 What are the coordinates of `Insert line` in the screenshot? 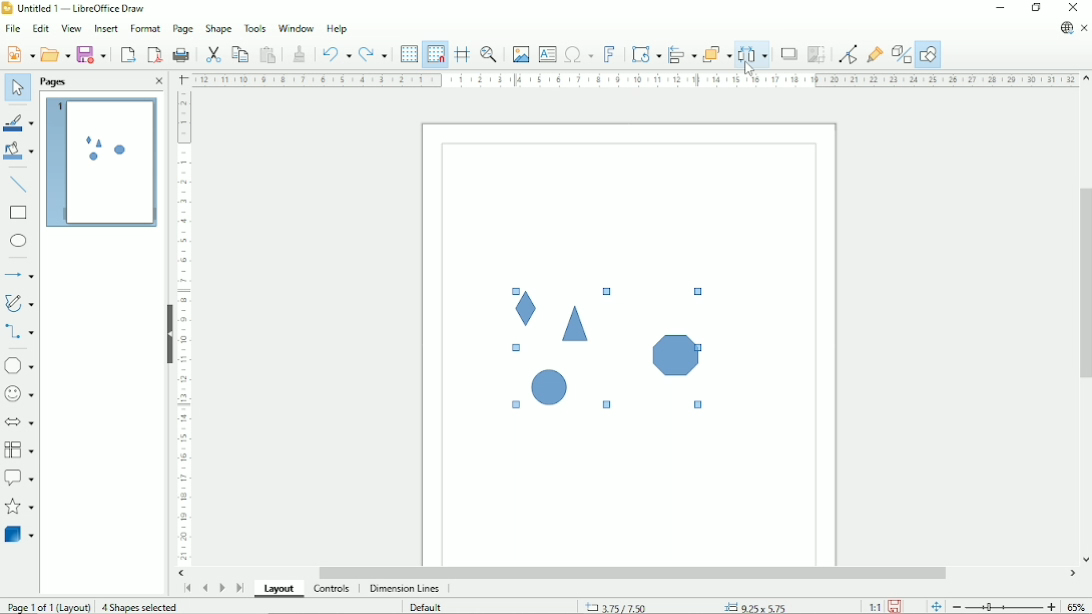 It's located at (19, 186).